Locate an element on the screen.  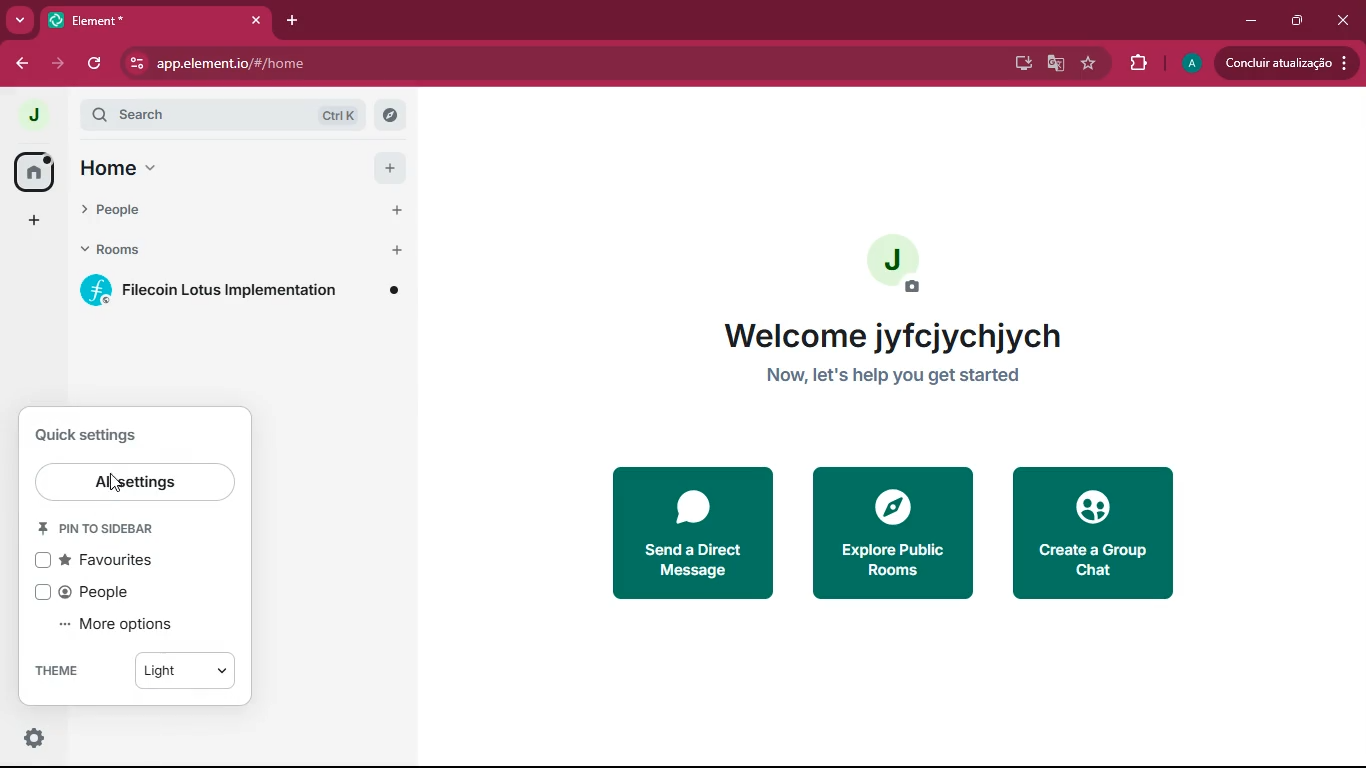
close is located at coordinates (256, 19).